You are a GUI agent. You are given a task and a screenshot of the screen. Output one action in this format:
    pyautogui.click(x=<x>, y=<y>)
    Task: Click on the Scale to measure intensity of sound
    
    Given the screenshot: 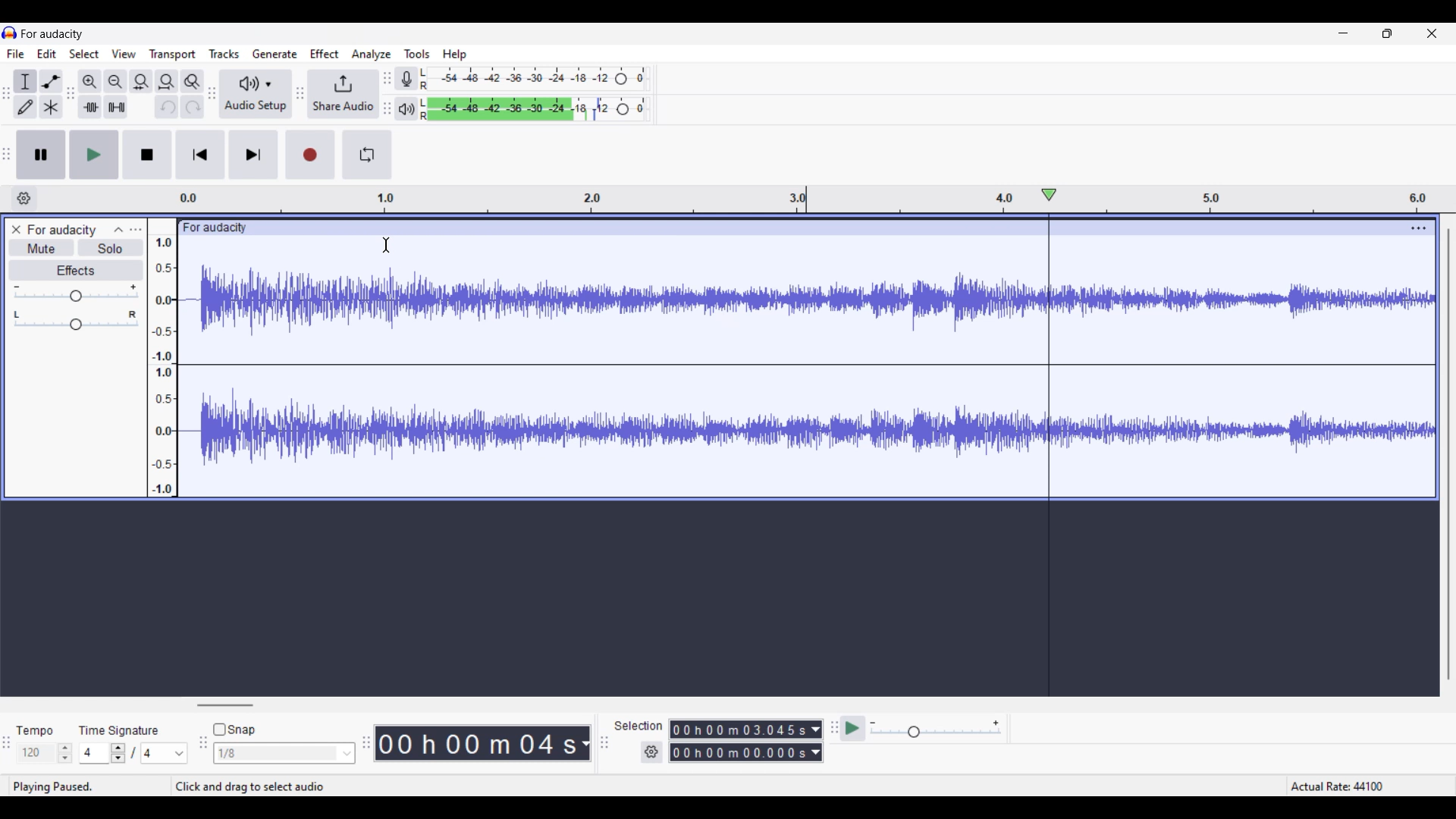 What is the action you would take?
    pyautogui.click(x=163, y=366)
    